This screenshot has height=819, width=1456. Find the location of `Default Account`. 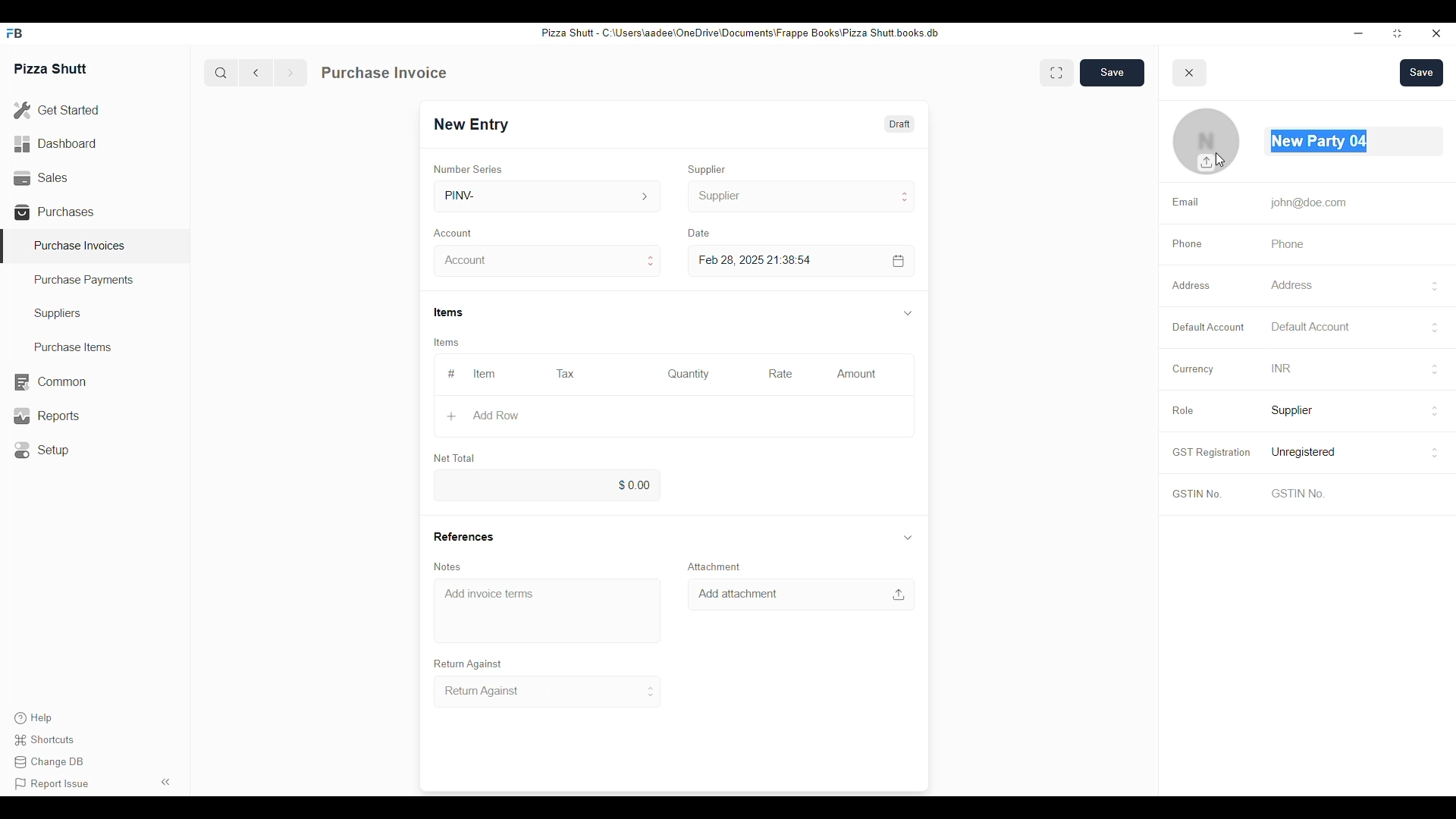

Default Account is located at coordinates (1207, 327).